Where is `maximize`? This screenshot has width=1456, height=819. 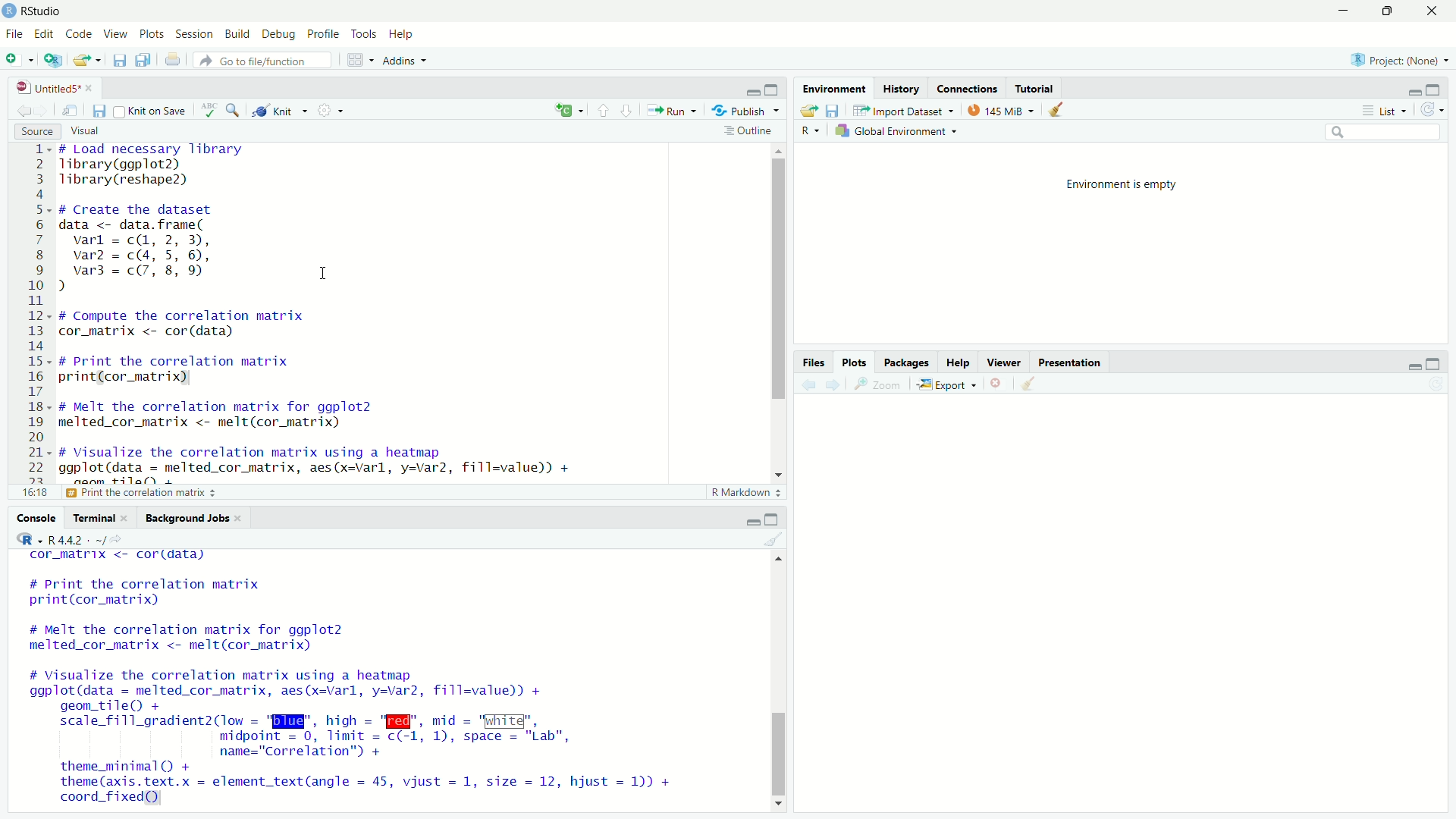 maximize is located at coordinates (1435, 90).